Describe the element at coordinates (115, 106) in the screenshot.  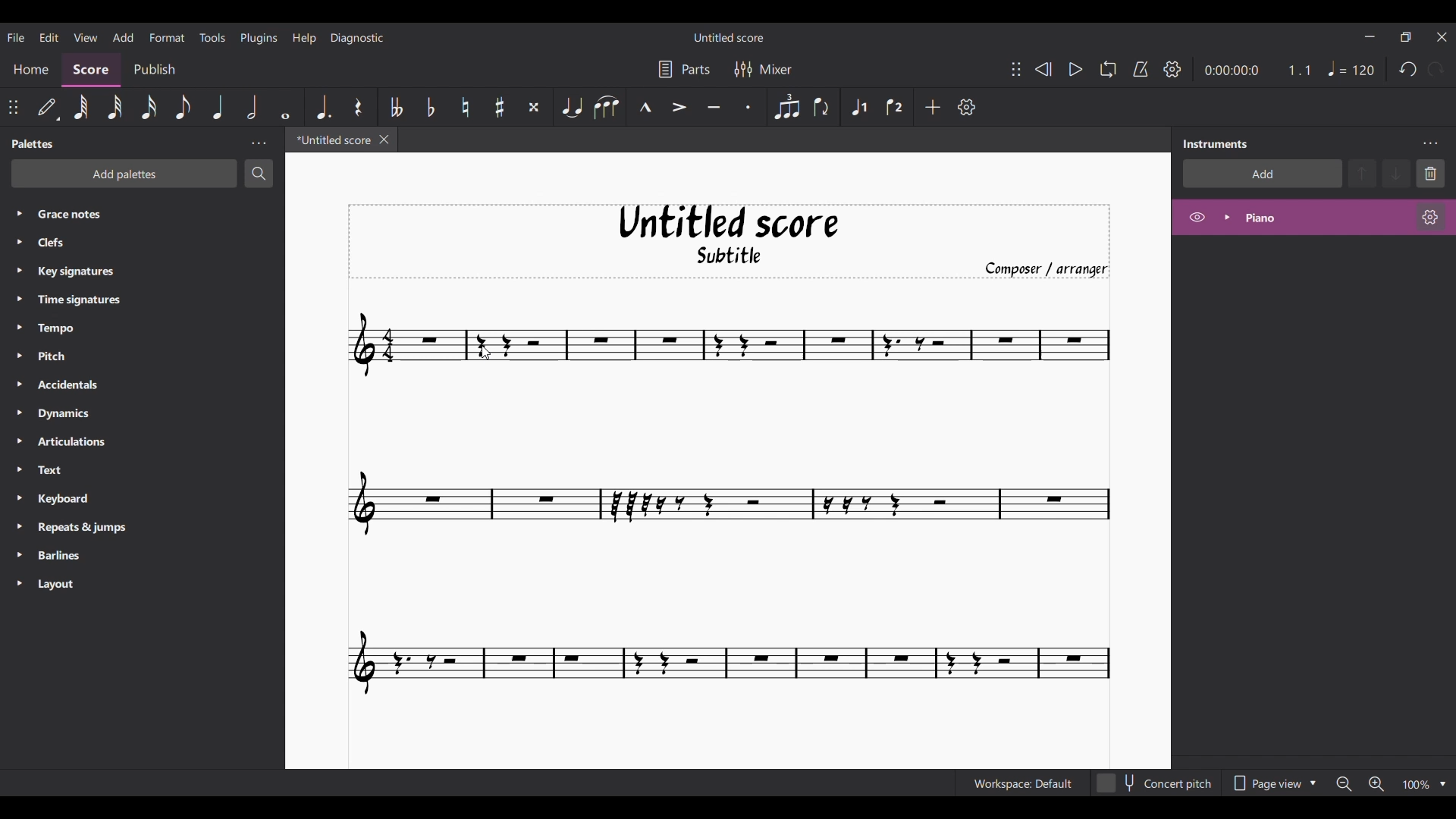
I see `32nd note` at that location.